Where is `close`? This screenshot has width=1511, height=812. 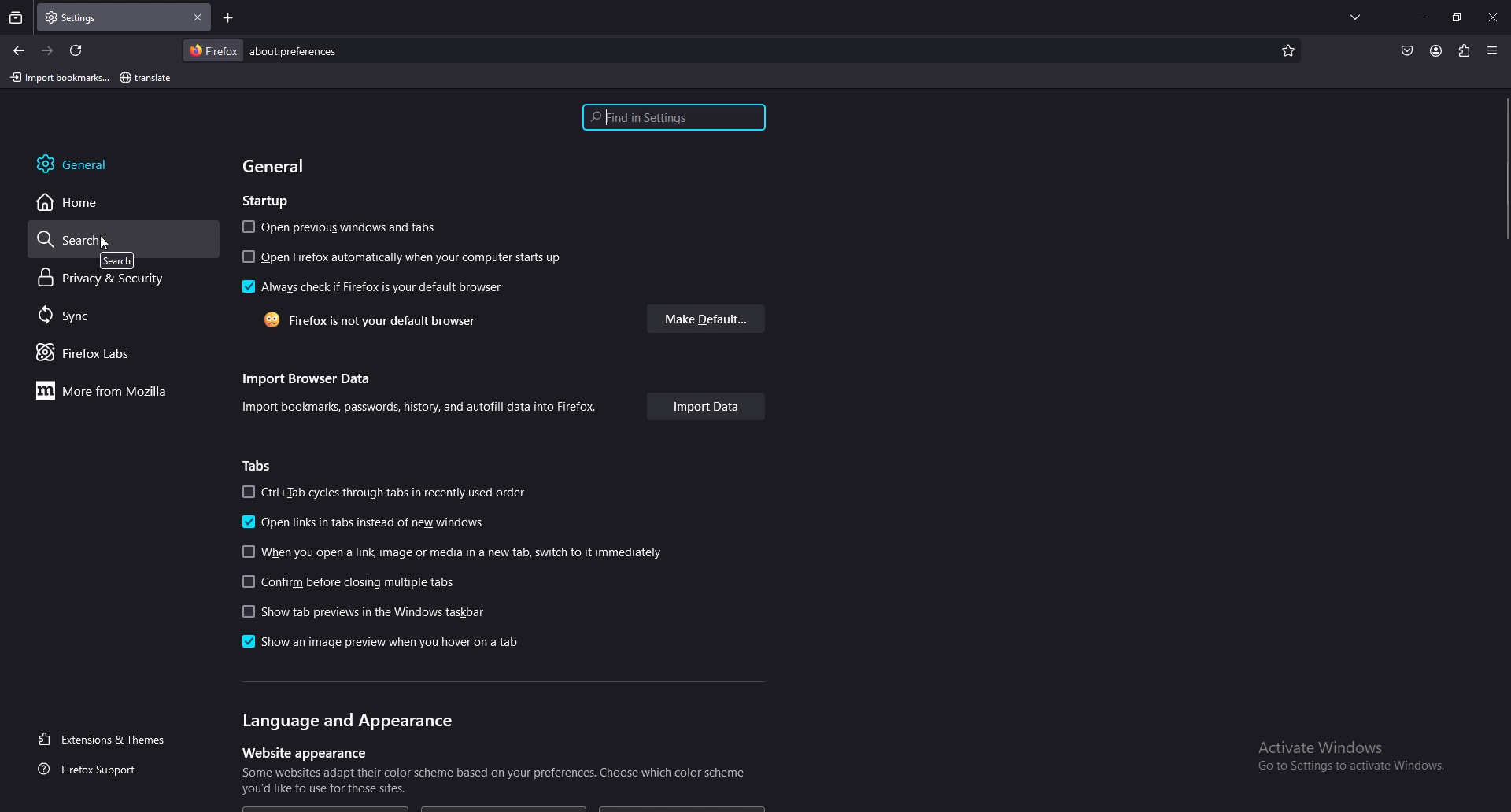 close is located at coordinates (1492, 18).